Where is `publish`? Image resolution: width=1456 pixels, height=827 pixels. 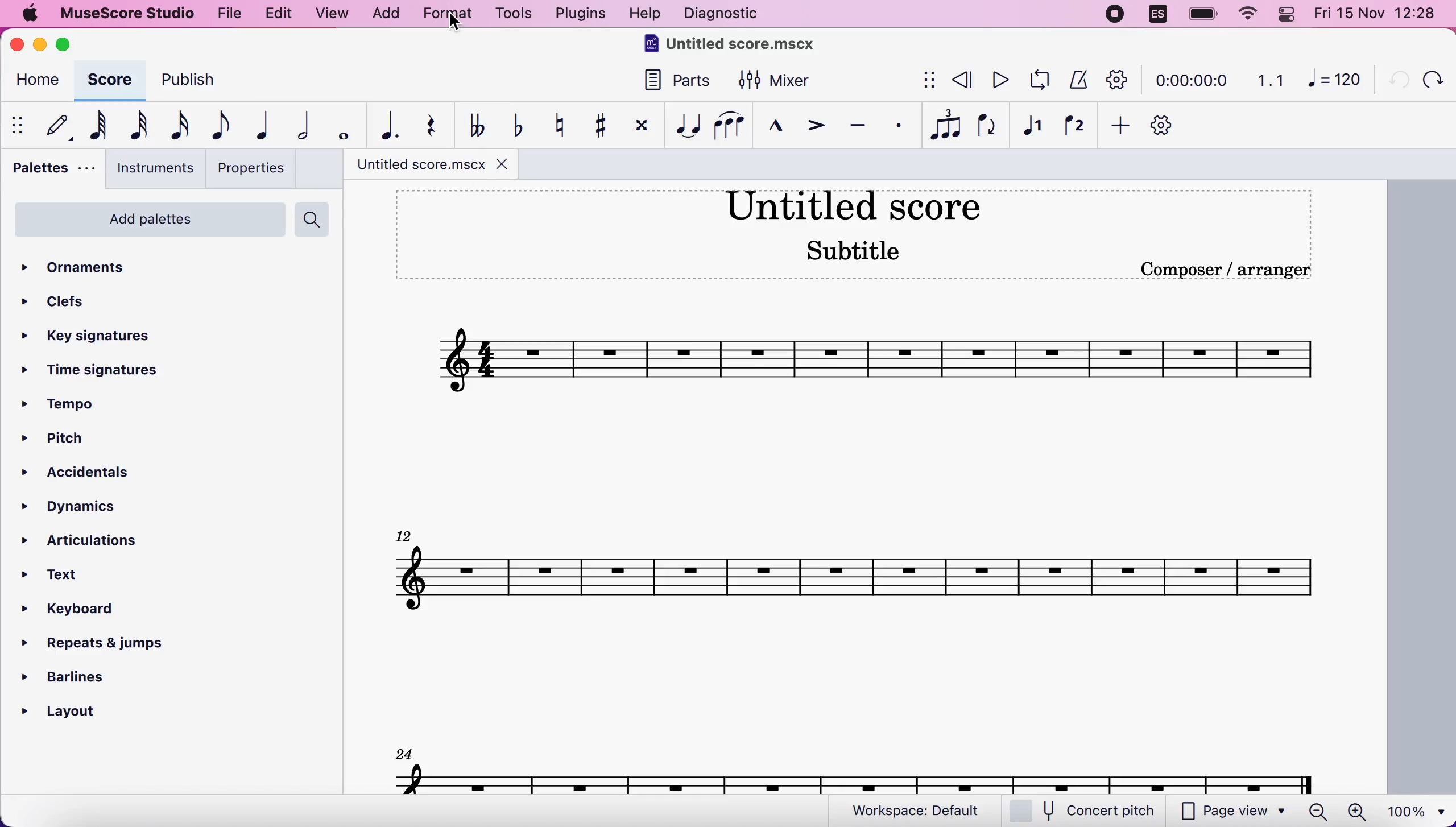 publish is located at coordinates (198, 84).